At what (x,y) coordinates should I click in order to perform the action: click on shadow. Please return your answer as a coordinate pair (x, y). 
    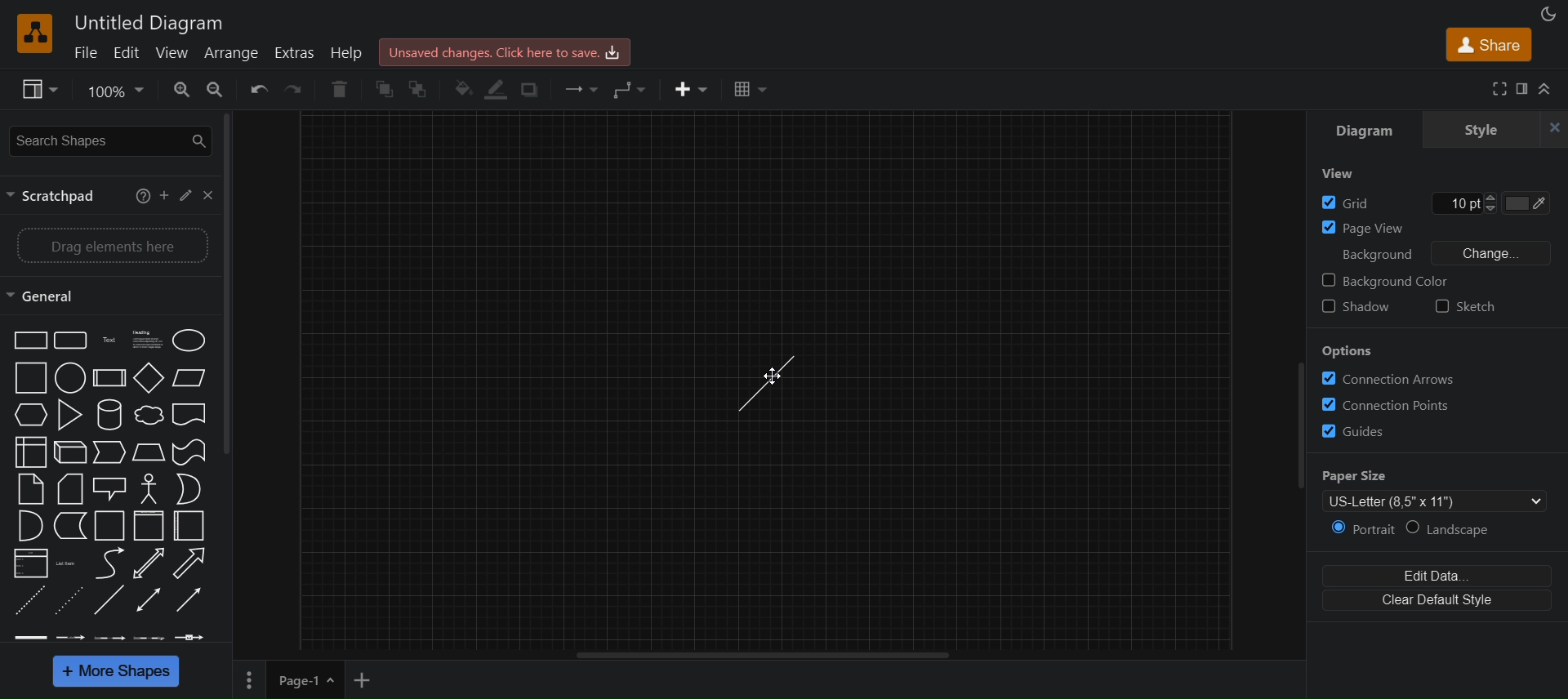
    Looking at the image, I should click on (528, 89).